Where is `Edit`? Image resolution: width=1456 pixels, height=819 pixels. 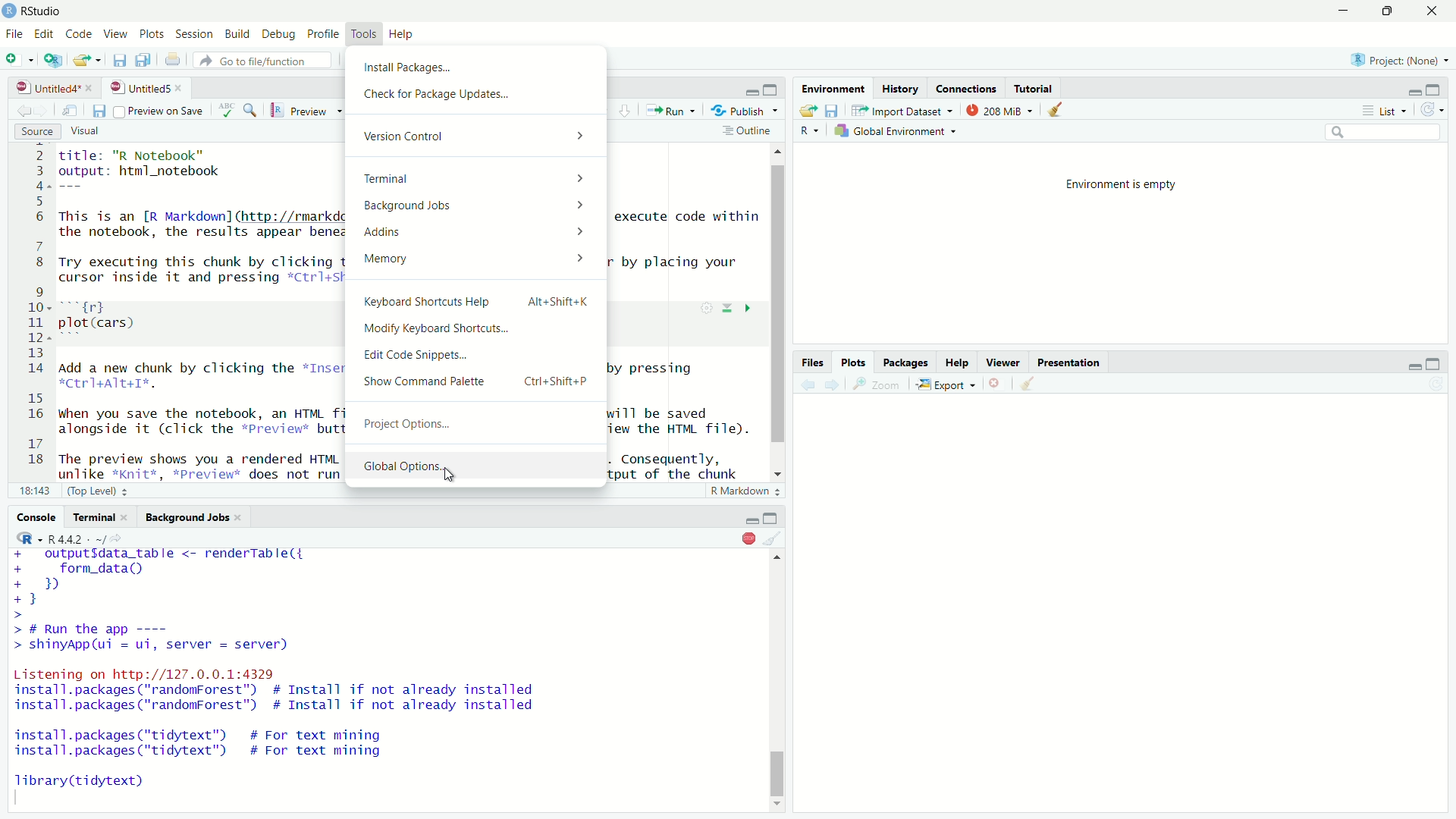
Edit is located at coordinates (44, 35).